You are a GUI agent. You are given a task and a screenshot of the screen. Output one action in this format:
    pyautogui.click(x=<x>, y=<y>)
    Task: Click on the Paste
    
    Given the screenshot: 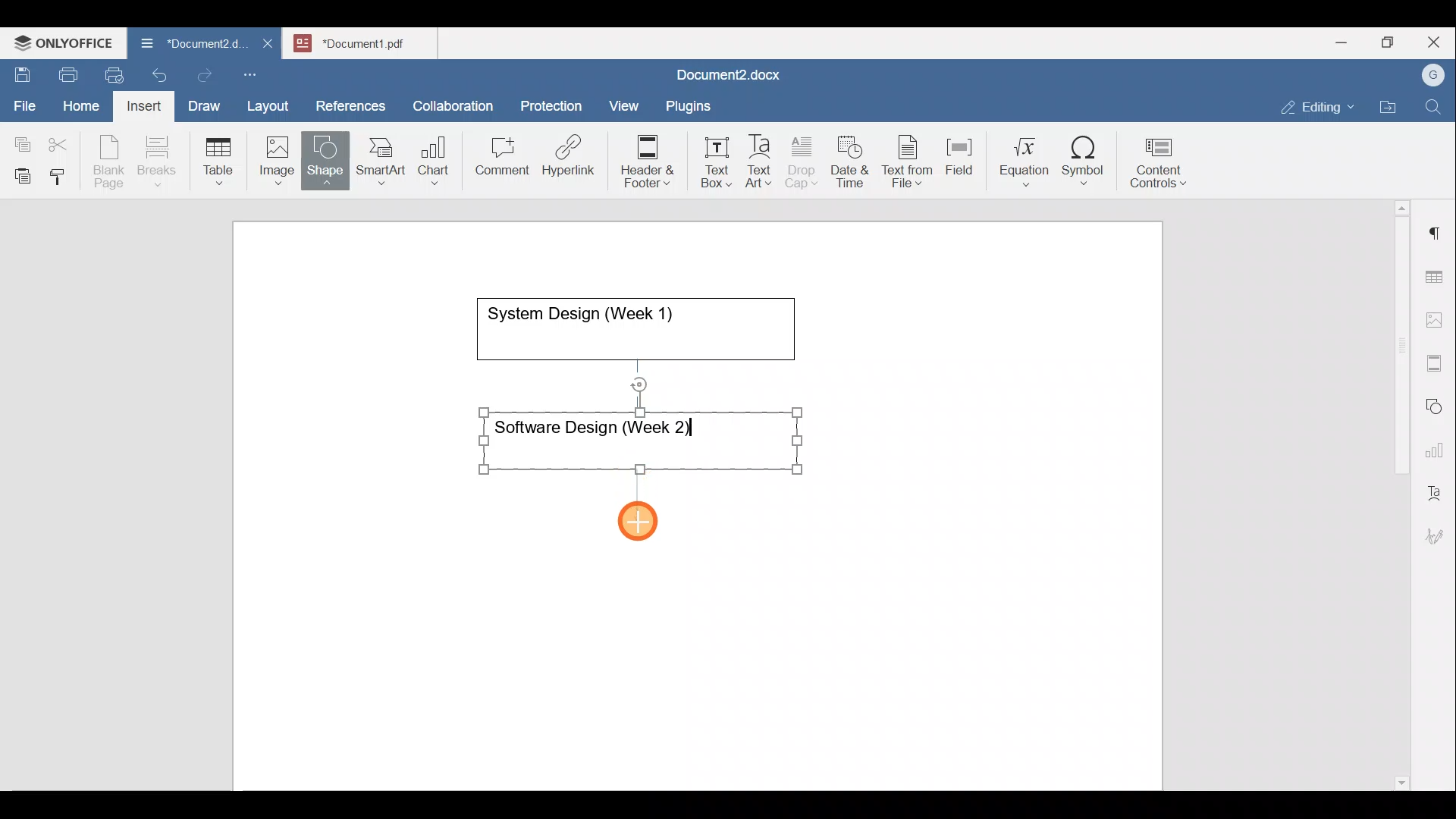 What is the action you would take?
    pyautogui.click(x=19, y=172)
    